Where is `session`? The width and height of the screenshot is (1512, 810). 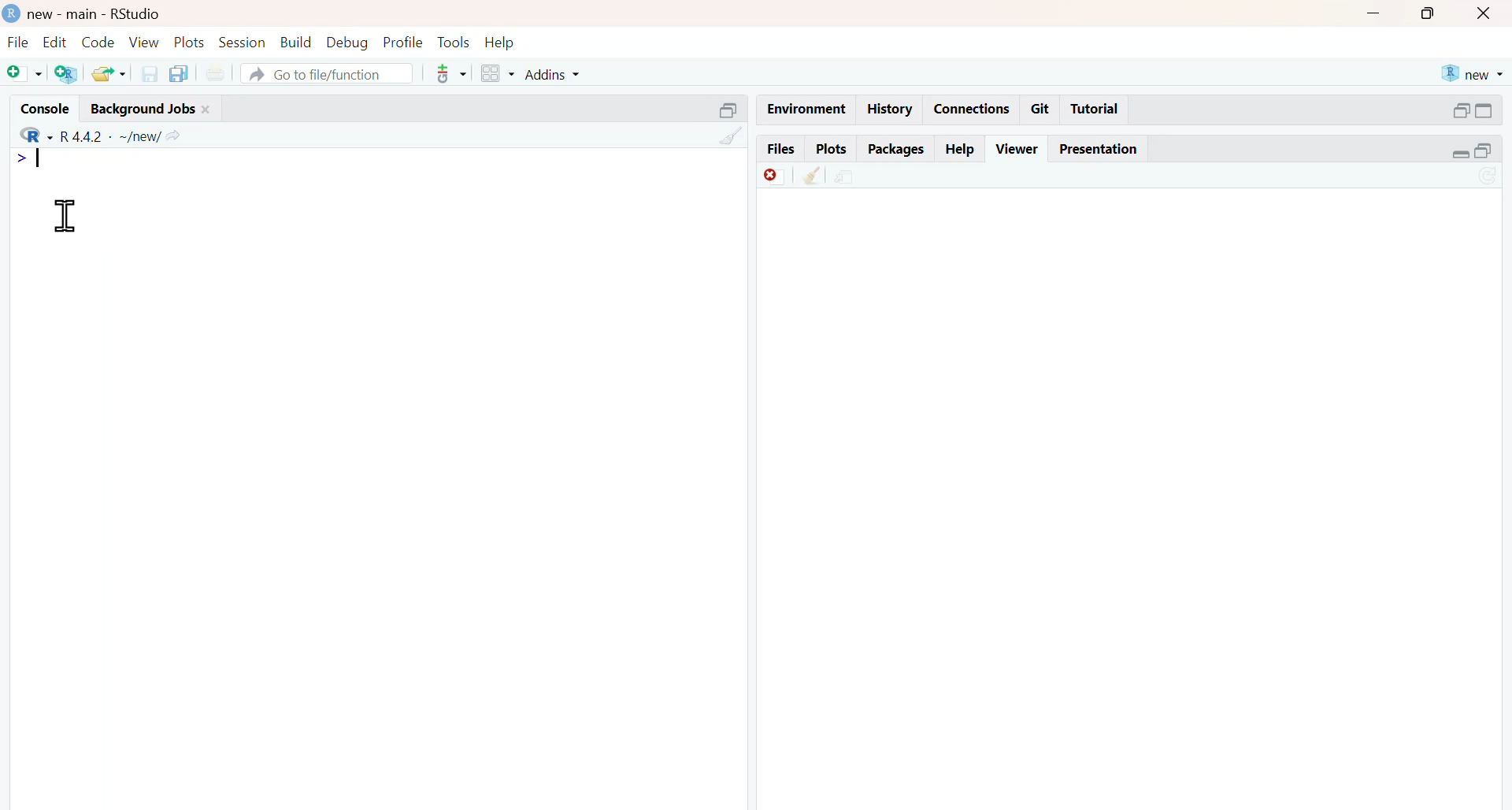
session is located at coordinates (241, 43).